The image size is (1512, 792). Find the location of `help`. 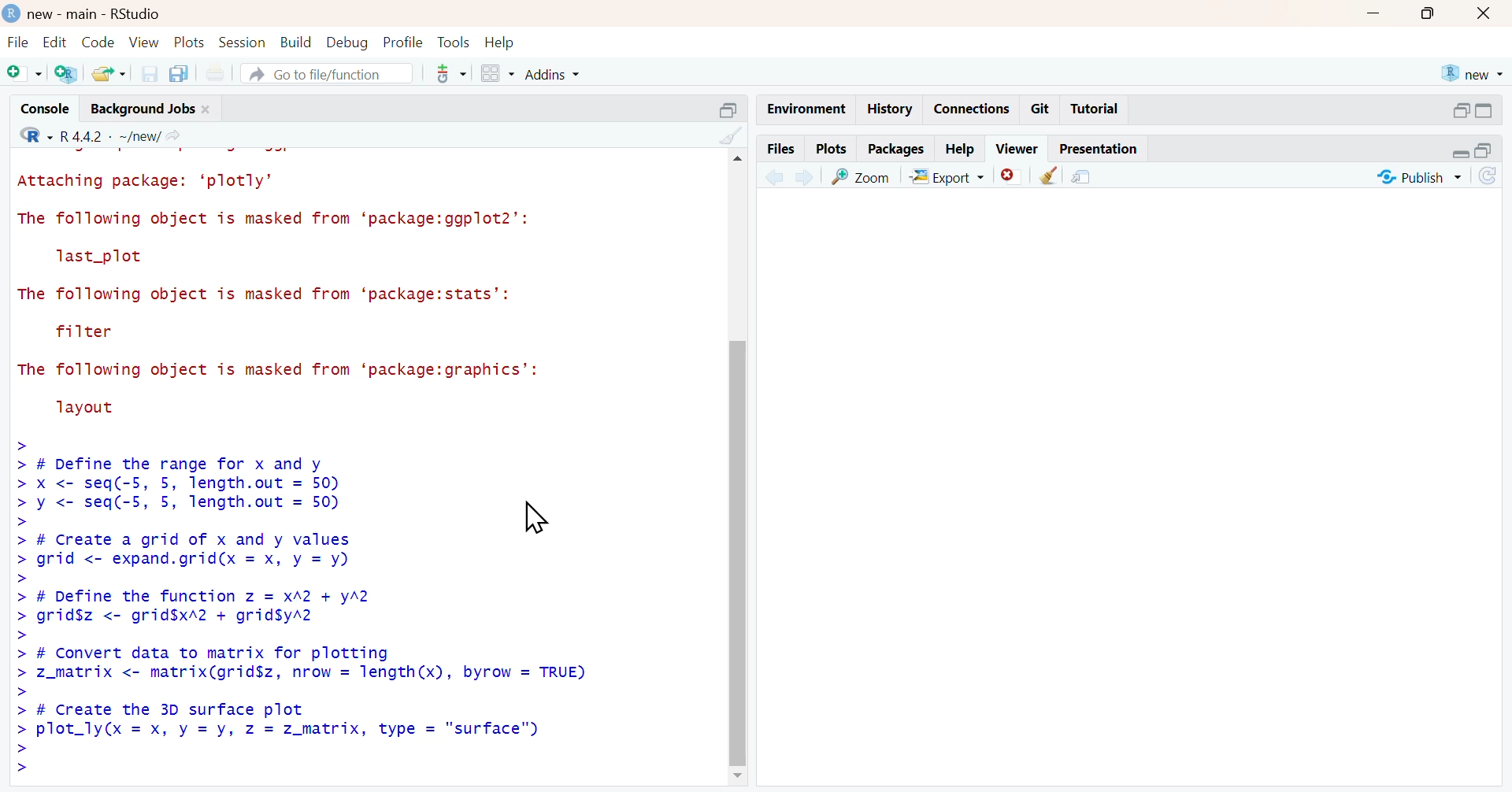

help is located at coordinates (961, 146).